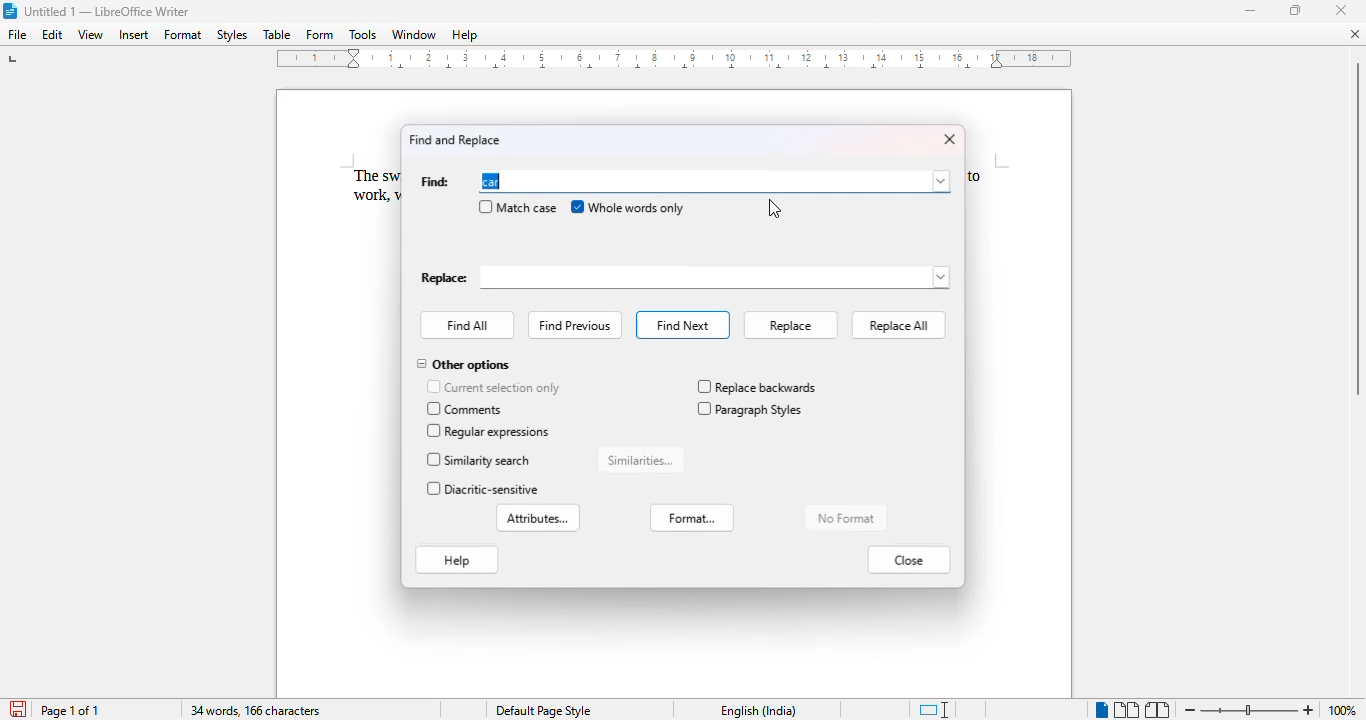 The image size is (1366, 720). I want to click on find next, so click(682, 325).